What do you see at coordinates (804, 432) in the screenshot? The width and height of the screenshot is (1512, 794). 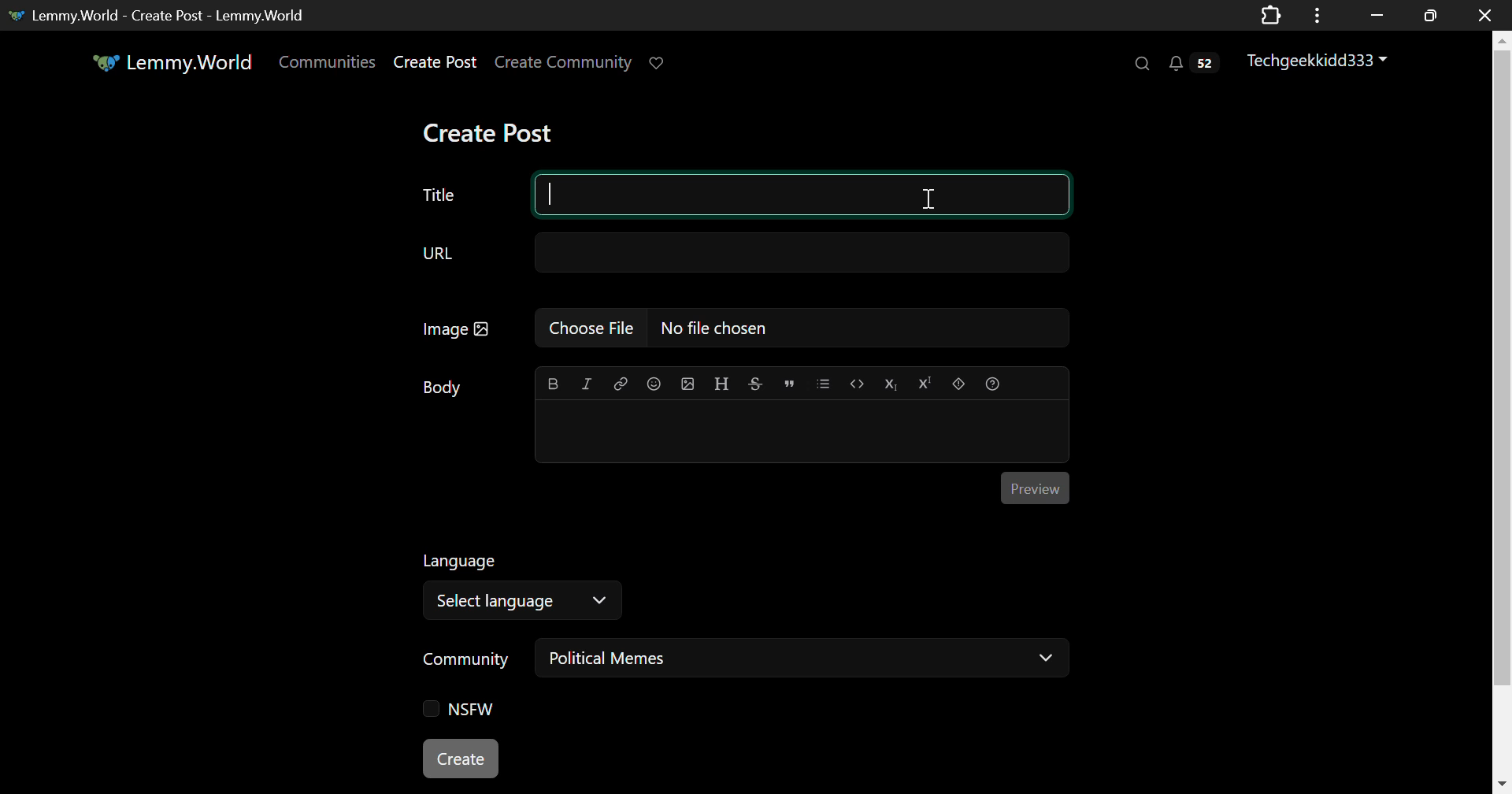 I see `Post Body Textbox` at bounding box center [804, 432].